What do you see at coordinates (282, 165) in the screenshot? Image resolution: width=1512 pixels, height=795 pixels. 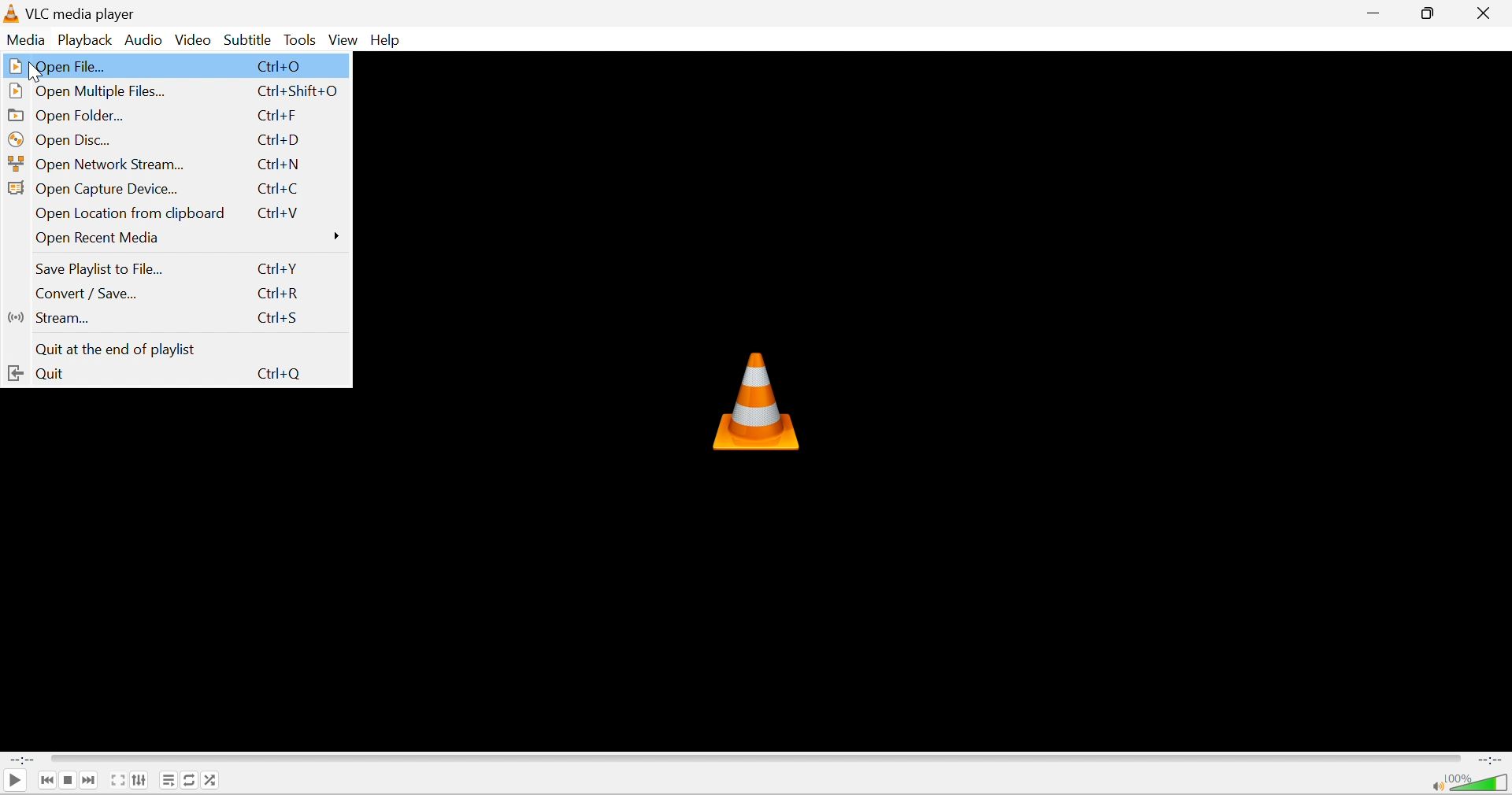 I see `Ctrl + N` at bounding box center [282, 165].